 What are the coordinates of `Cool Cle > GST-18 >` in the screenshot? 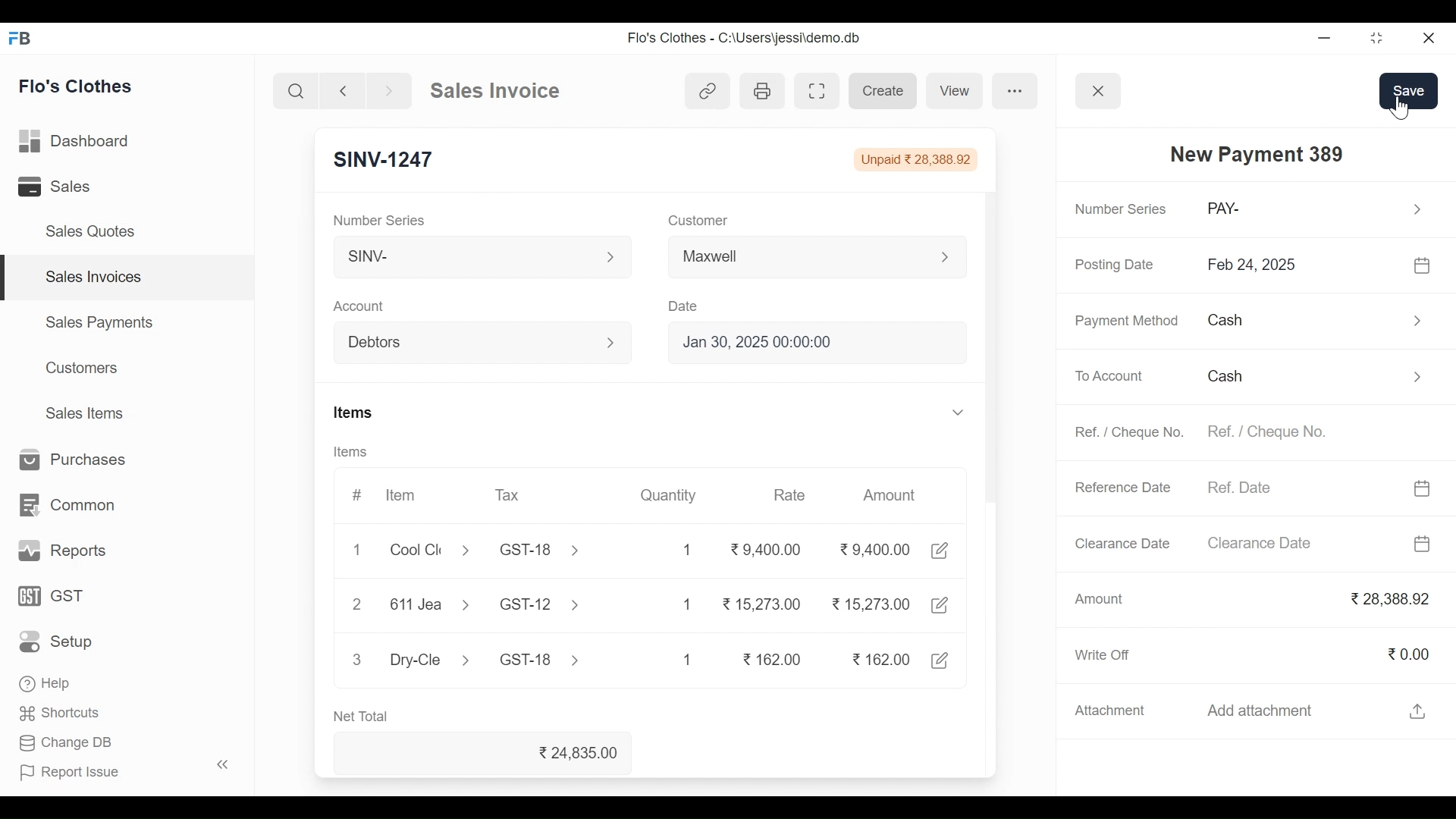 It's located at (488, 549).